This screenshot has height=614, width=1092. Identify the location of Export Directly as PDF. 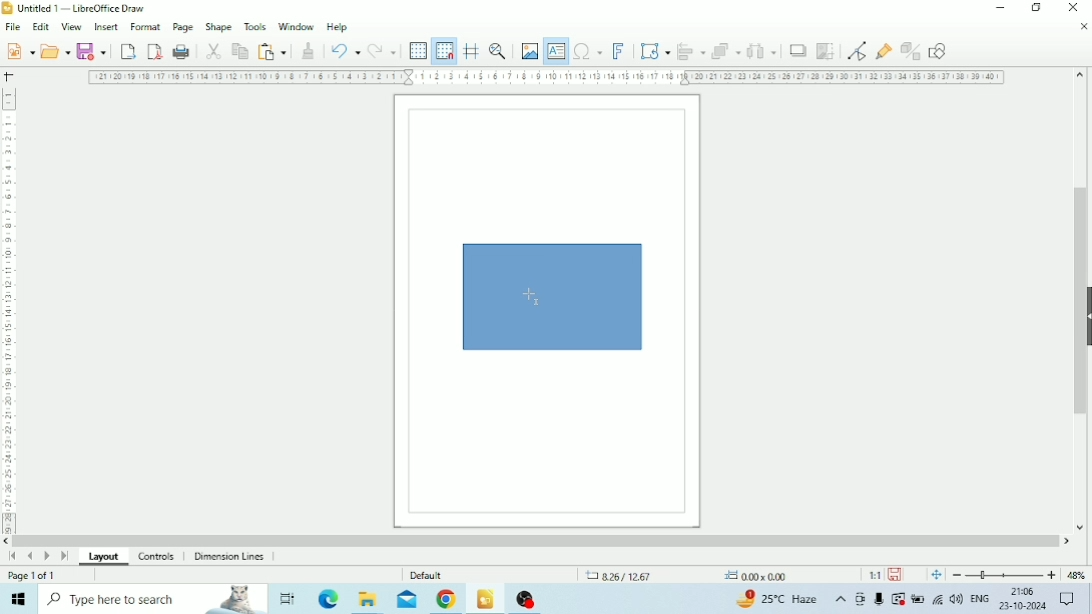
(155, 52).